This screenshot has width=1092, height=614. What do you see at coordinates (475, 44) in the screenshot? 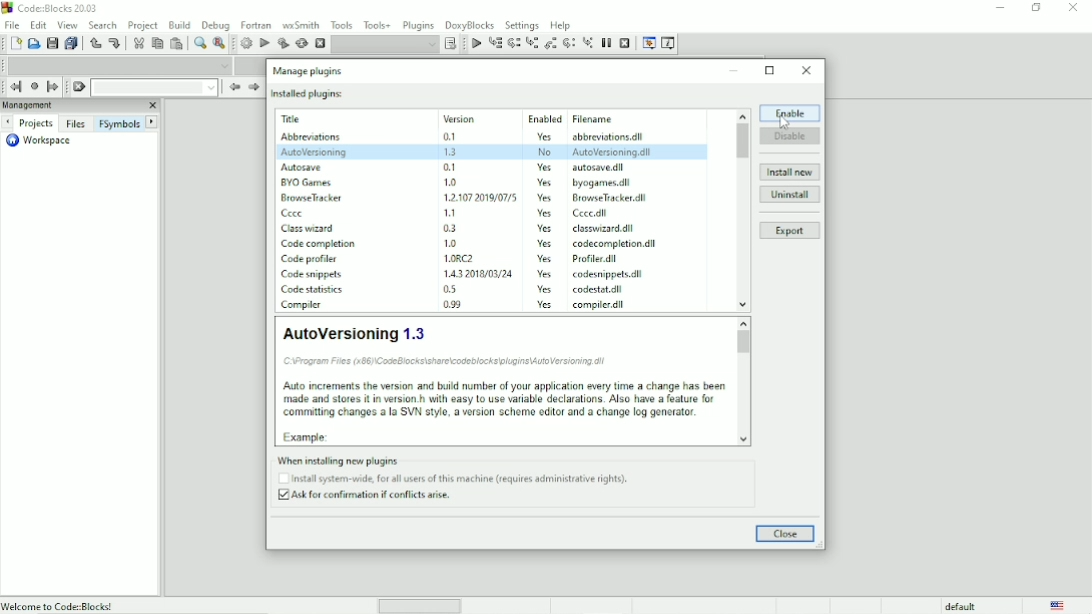
I see `Debug/Continue` at bounding box center [475, 44].